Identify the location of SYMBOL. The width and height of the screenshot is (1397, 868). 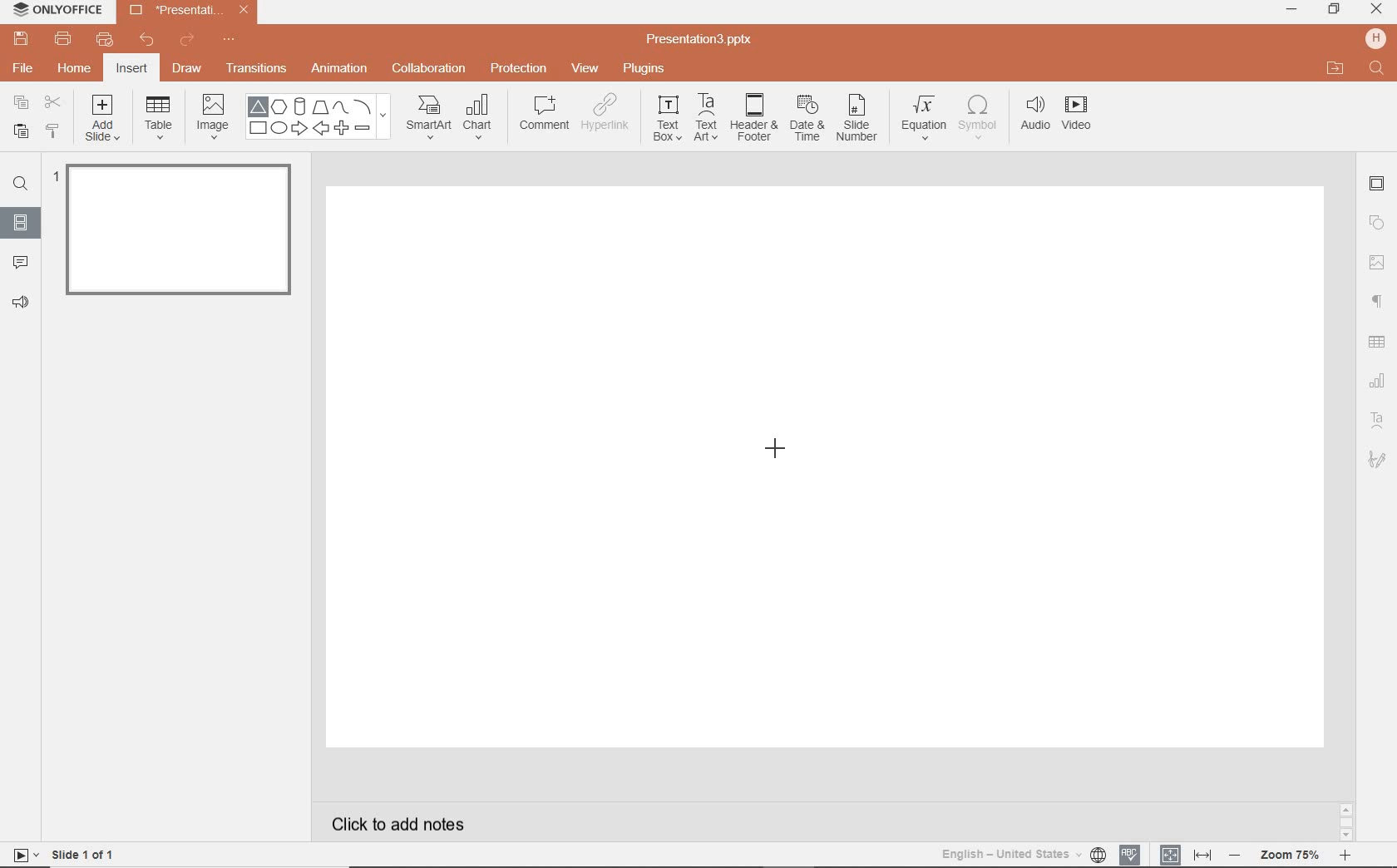
(980, 114).